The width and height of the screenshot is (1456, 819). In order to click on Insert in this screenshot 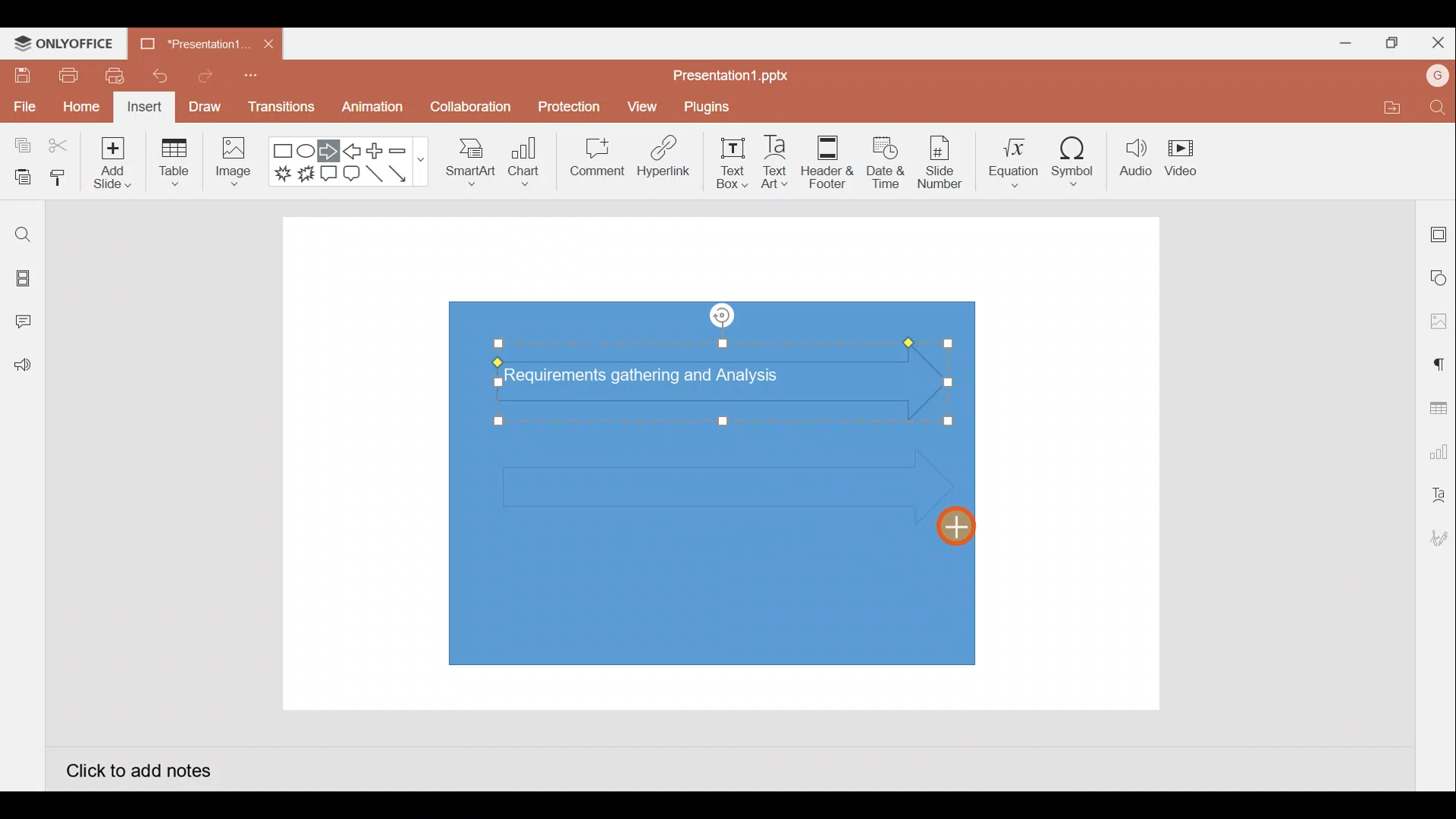, I will do `click(145, 108)`.